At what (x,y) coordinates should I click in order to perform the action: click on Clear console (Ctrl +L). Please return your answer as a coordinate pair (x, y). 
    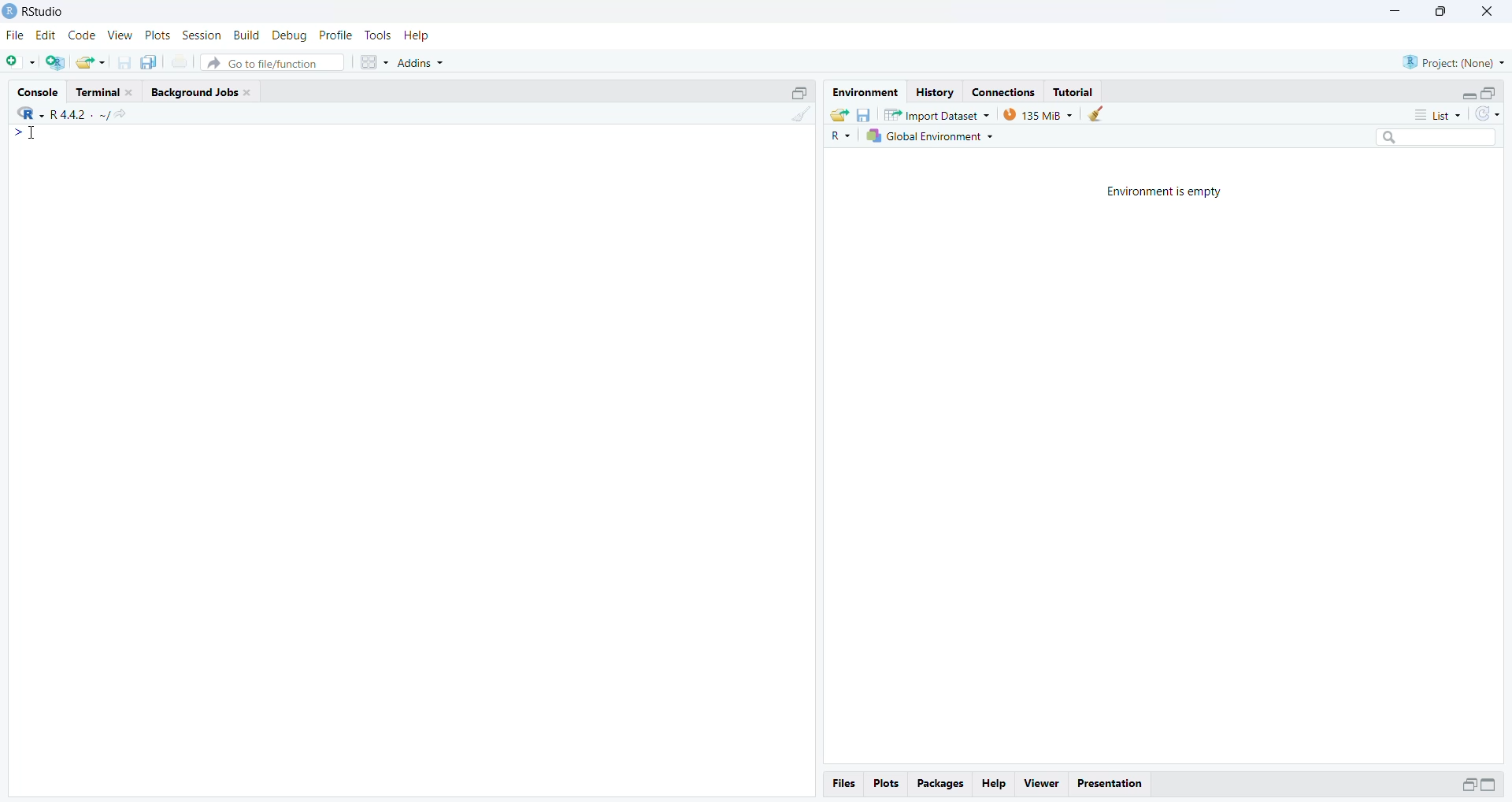
    Looking at the image, I should click on (798, 123).